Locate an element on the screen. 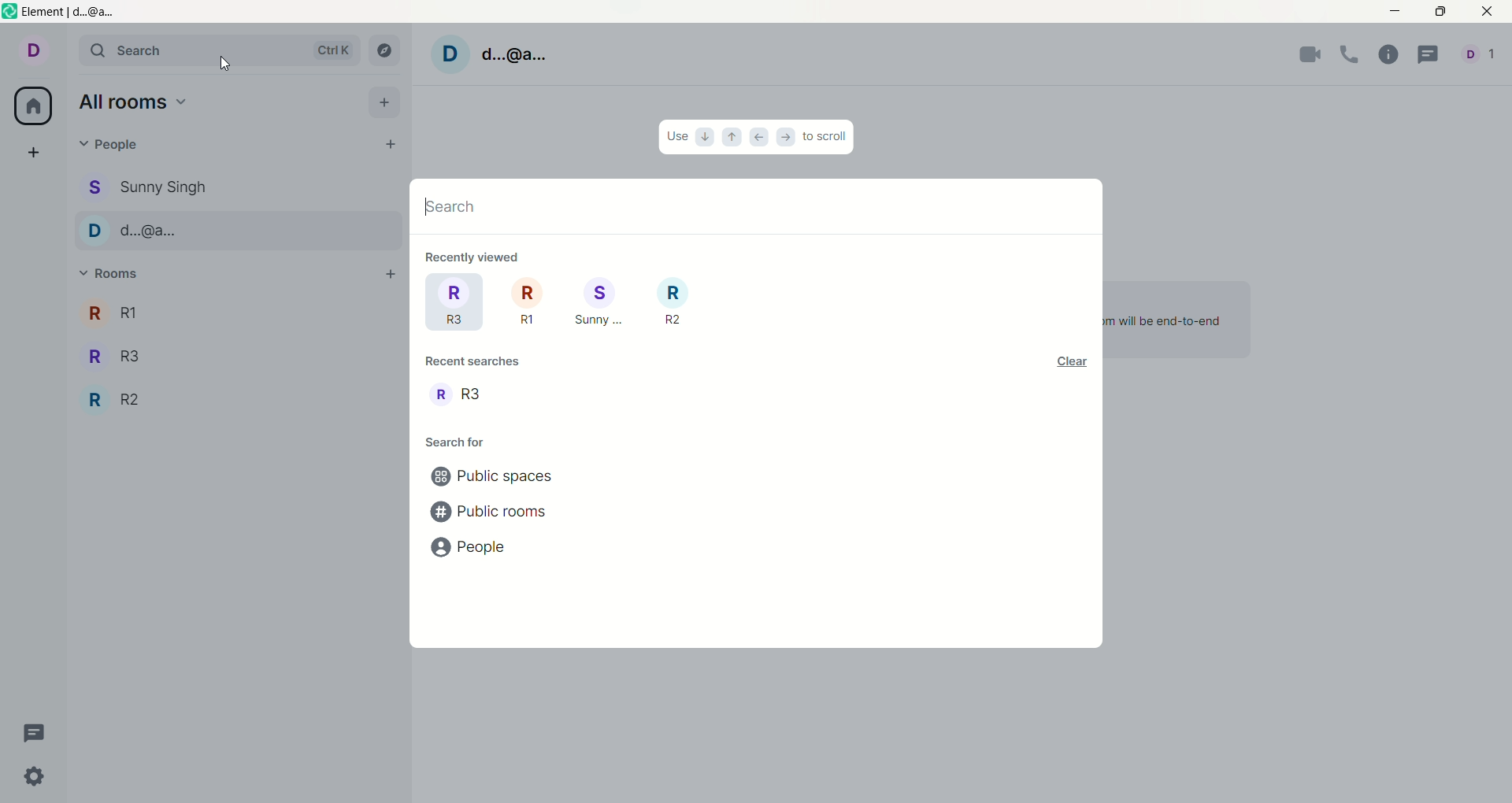  right arrow key is located at coordinates (784, 136).